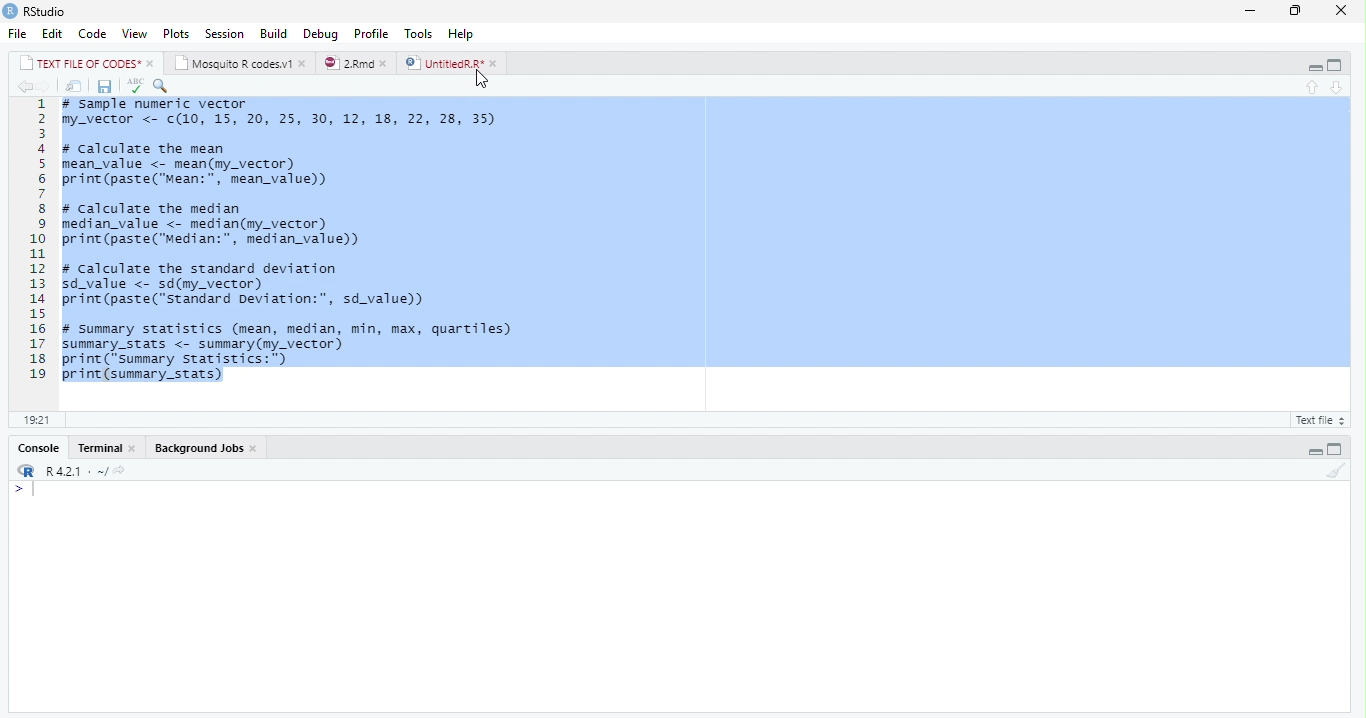 This screenshot has height=718, width=1366. I want to click on close, so click(496, 64).